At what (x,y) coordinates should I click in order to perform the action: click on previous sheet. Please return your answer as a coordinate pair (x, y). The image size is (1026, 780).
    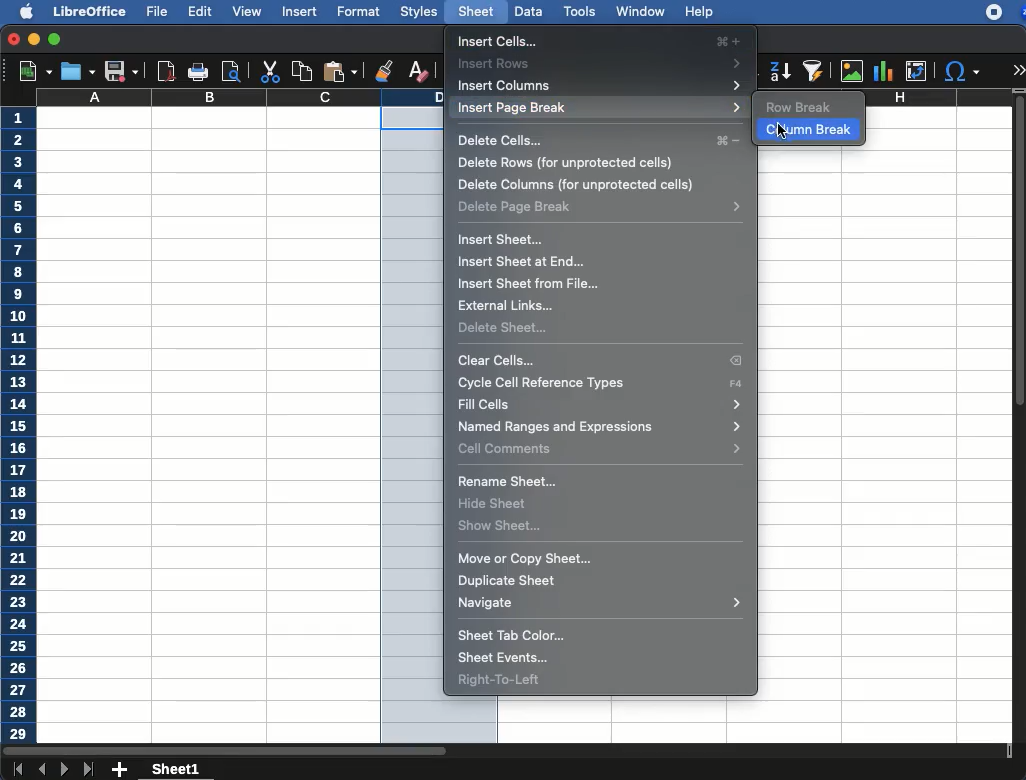
    Looking at the image, I should click on (43, 770).